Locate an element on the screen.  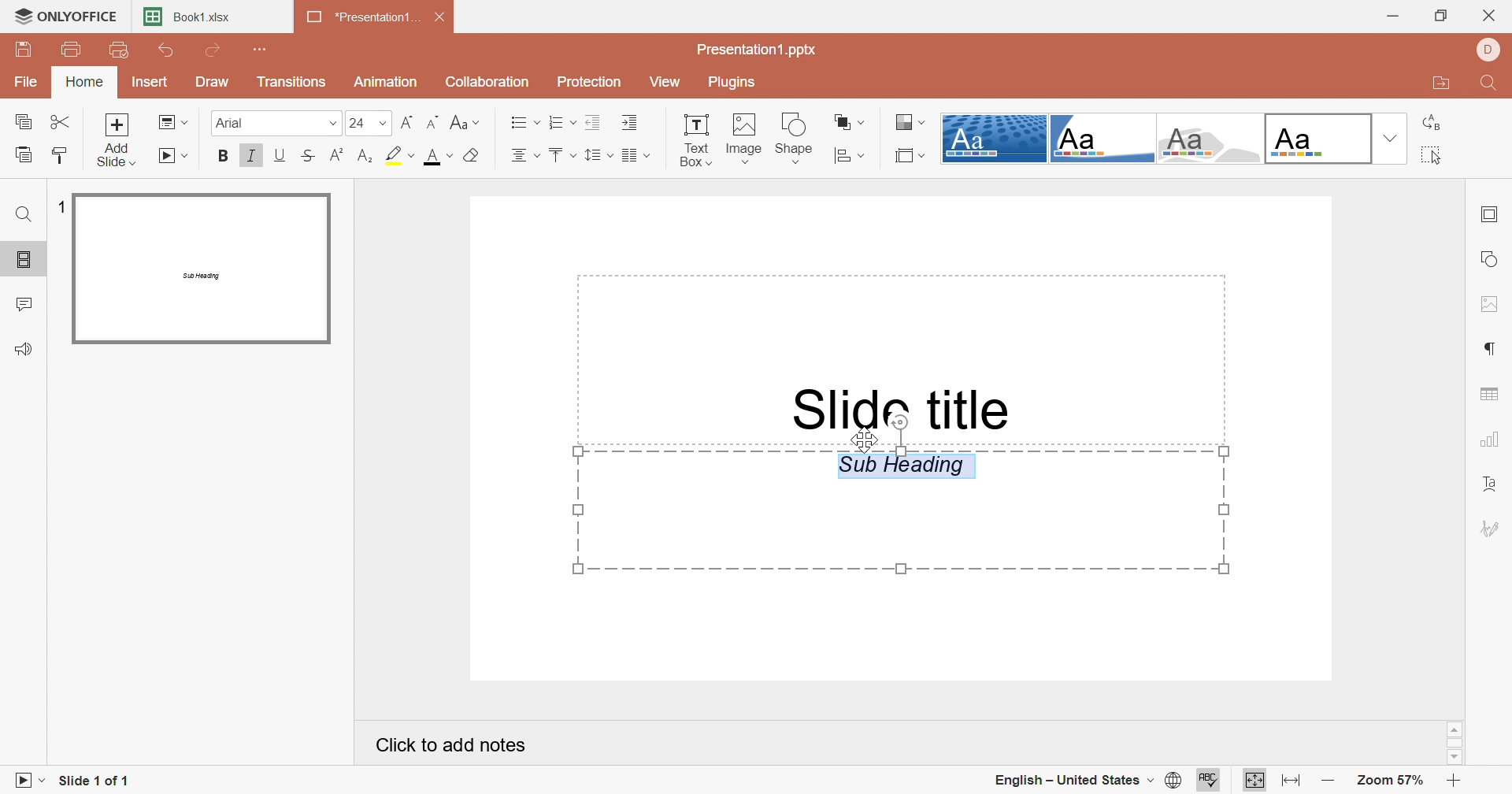
Decrease Indent is located at coordinates (594, 121).